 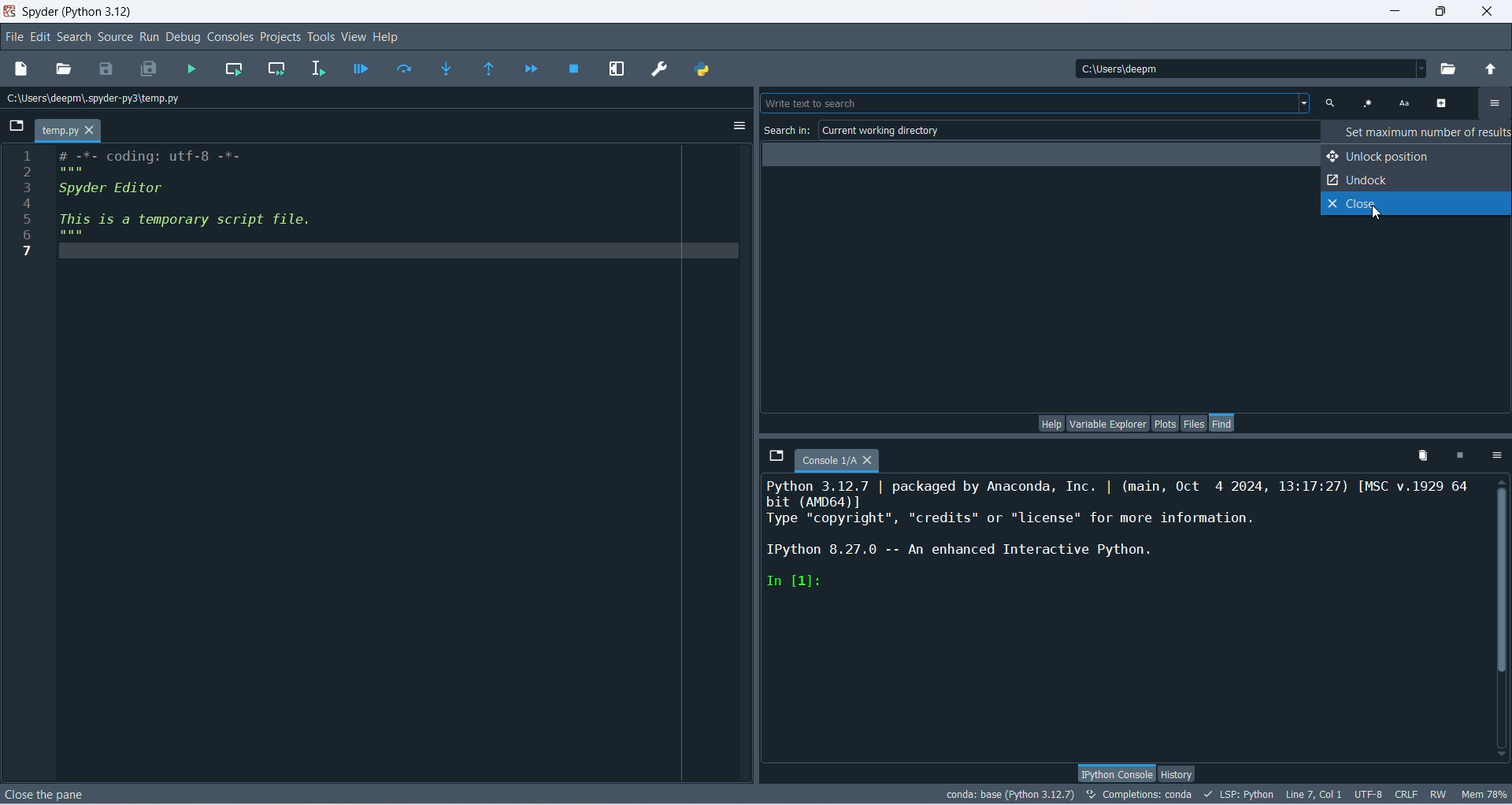 What do you see at coordinates (1248, 69) in the screenshot?
I see `location` at bounding box center [1248, 69].